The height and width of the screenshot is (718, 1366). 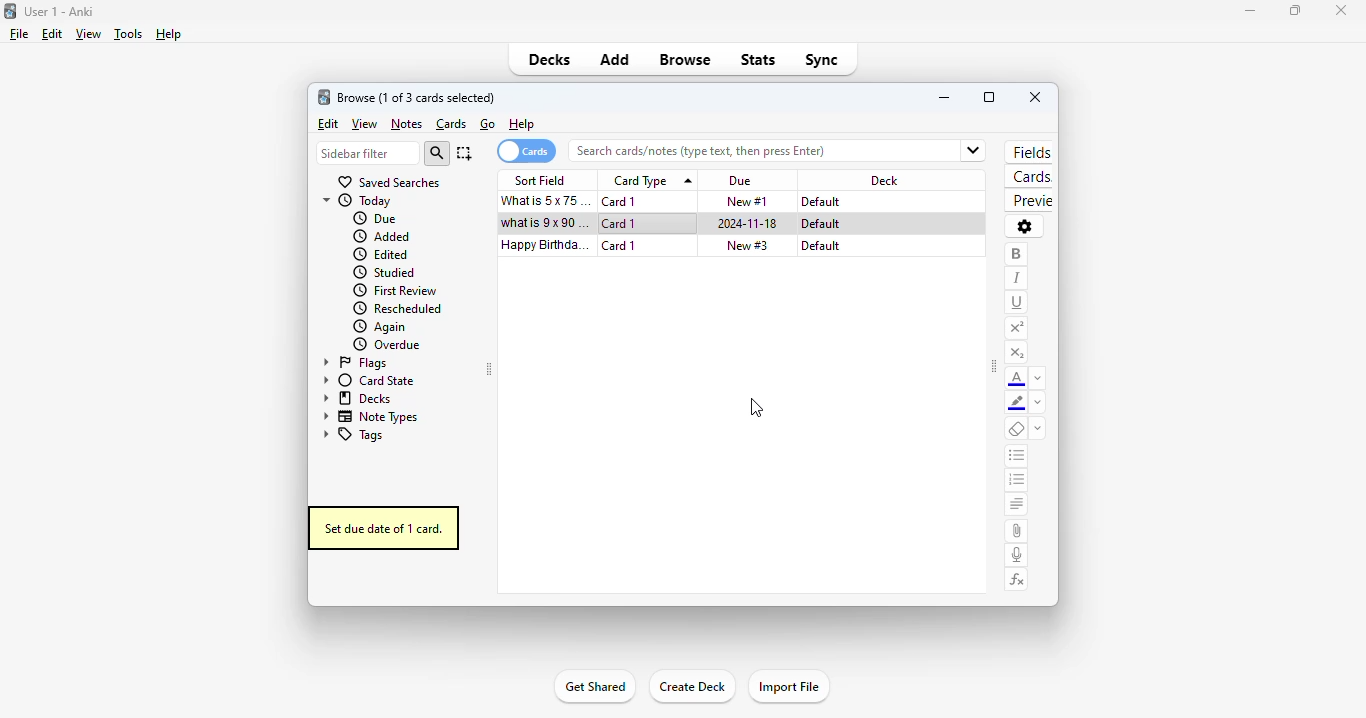 What do you see at coordinates (1031, 201) in the screenshot?
I see `preview` at bounding box center [1031, 201].